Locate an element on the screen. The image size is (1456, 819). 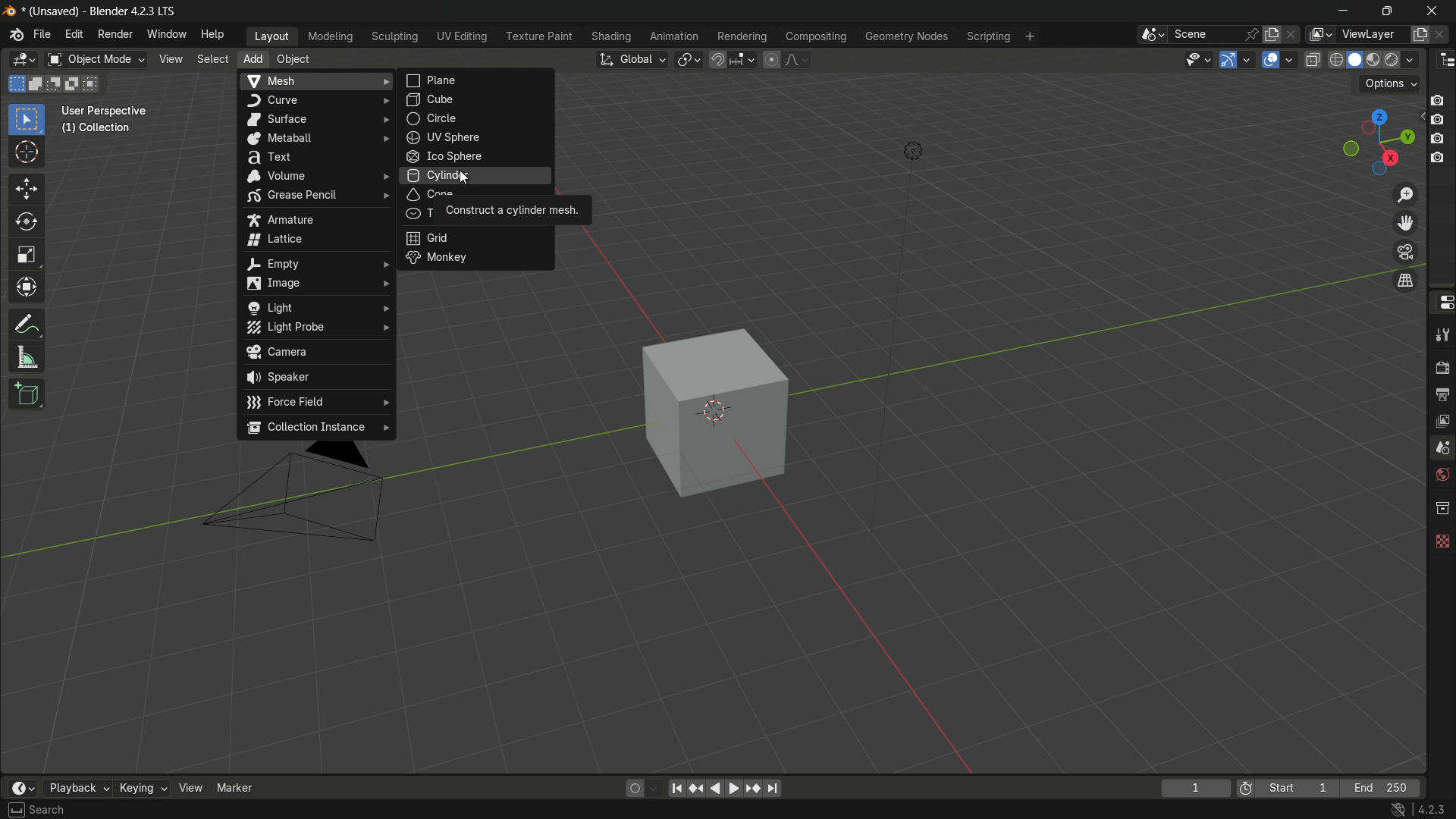
layout menu is located at coordinates (273, 37).